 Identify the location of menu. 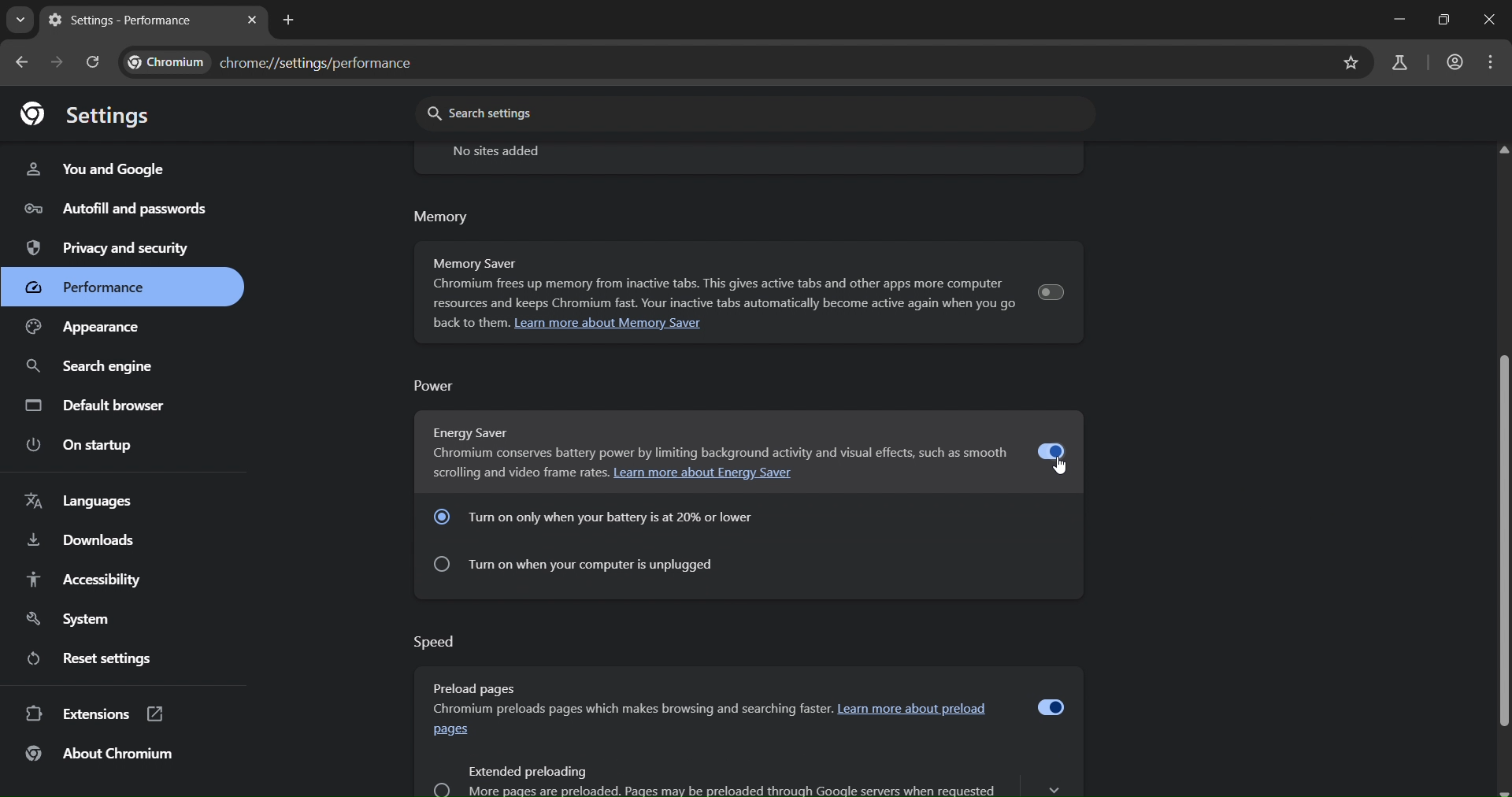
(1494, 63).